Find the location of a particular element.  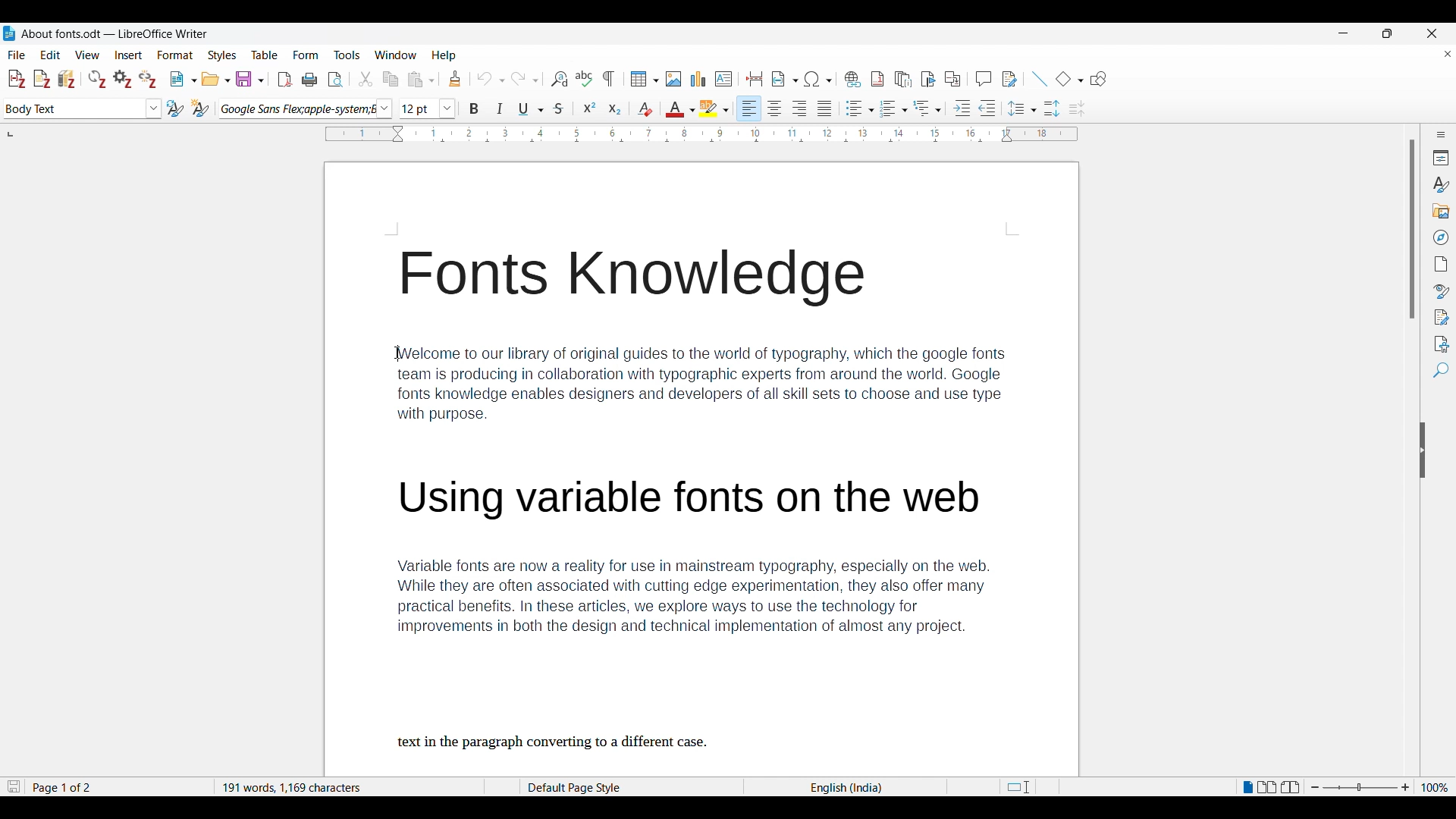

Text size options is located at coordinates (427, 108).